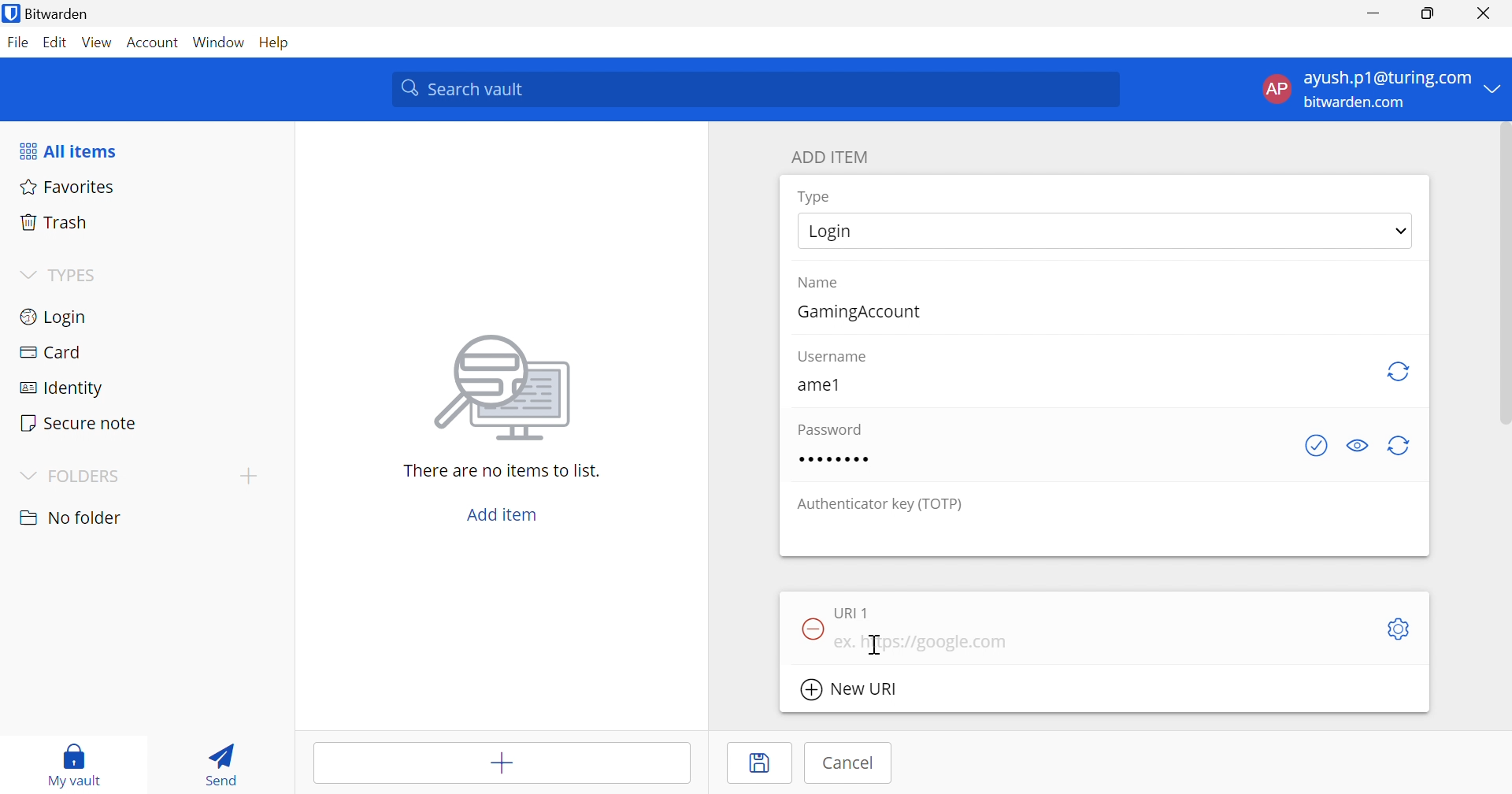 The image size is (1512, 794). Describe the element at coordinates (68, 188) in the screenshot. I see `Favorites` at that location.